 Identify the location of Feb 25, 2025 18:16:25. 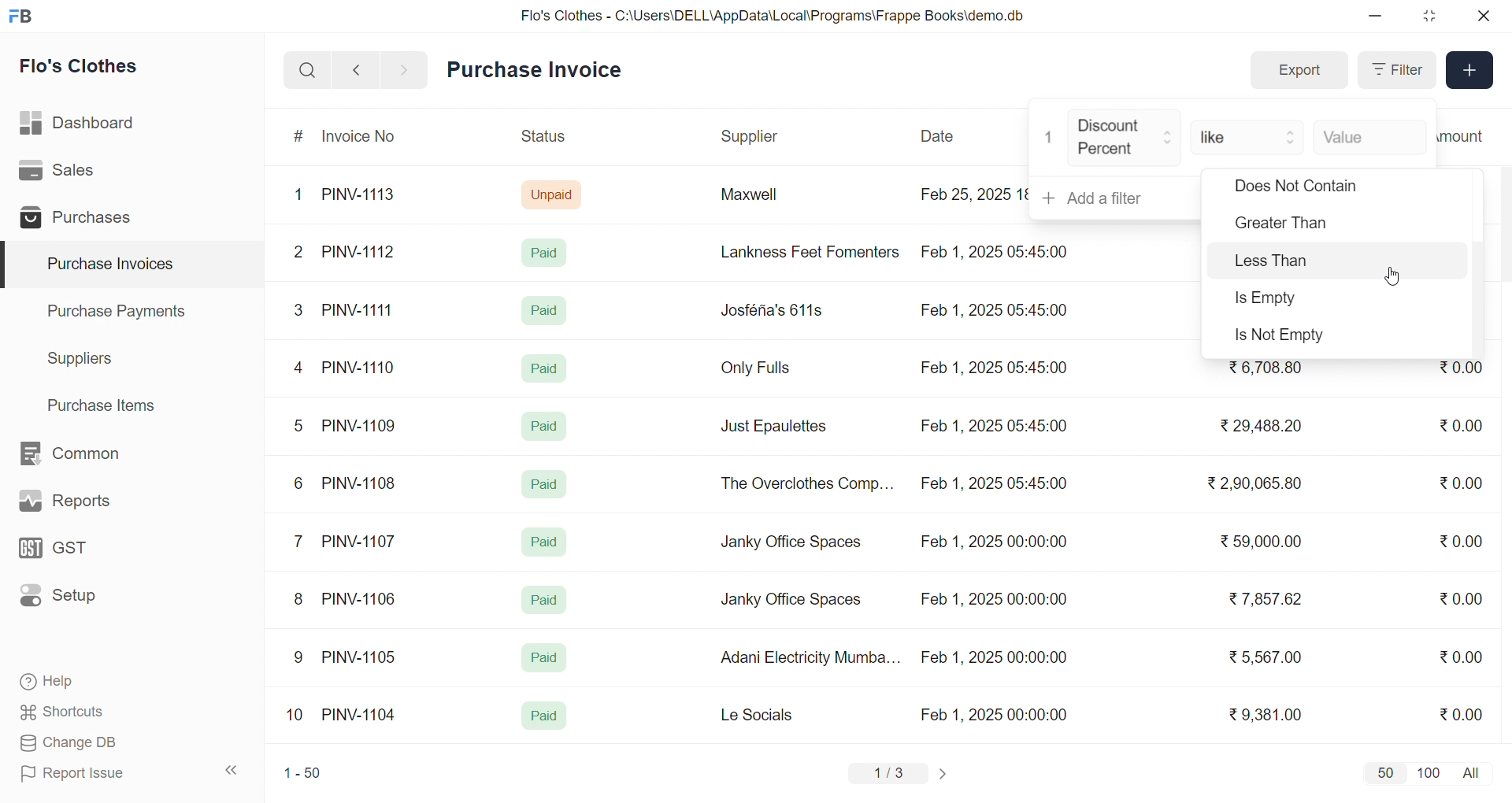
(972, 194).